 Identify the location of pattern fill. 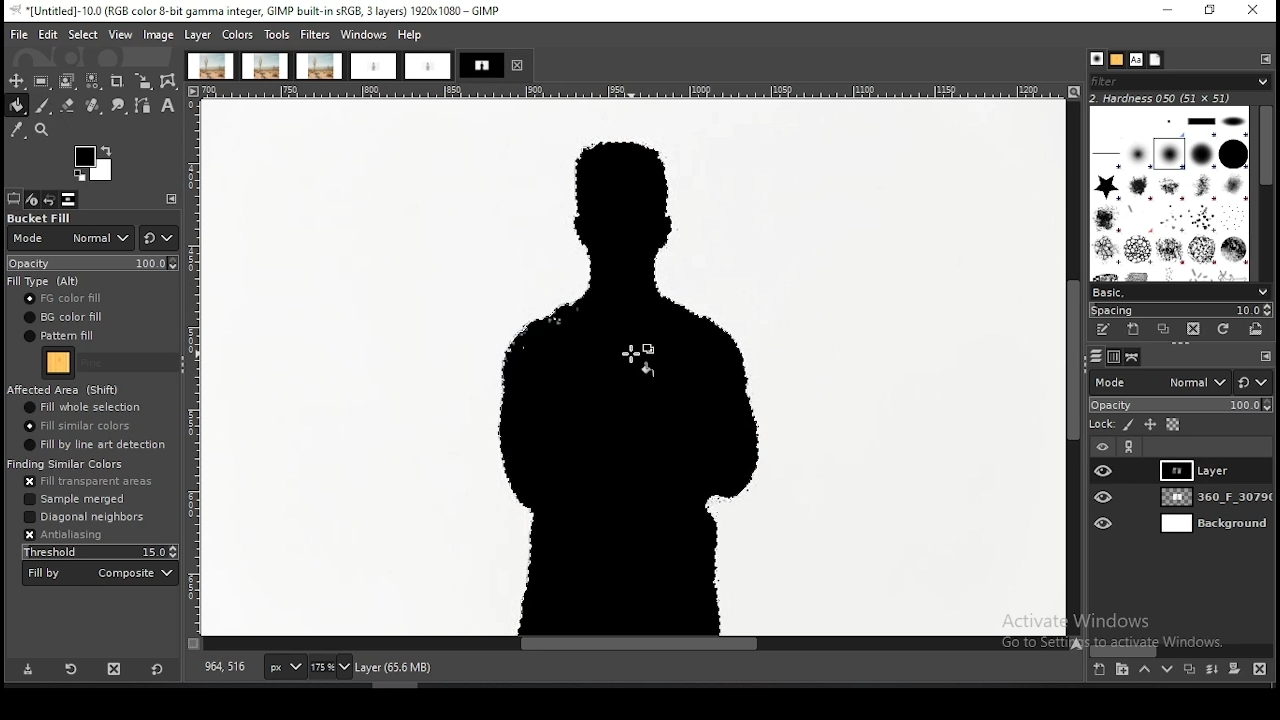
(58, 336).